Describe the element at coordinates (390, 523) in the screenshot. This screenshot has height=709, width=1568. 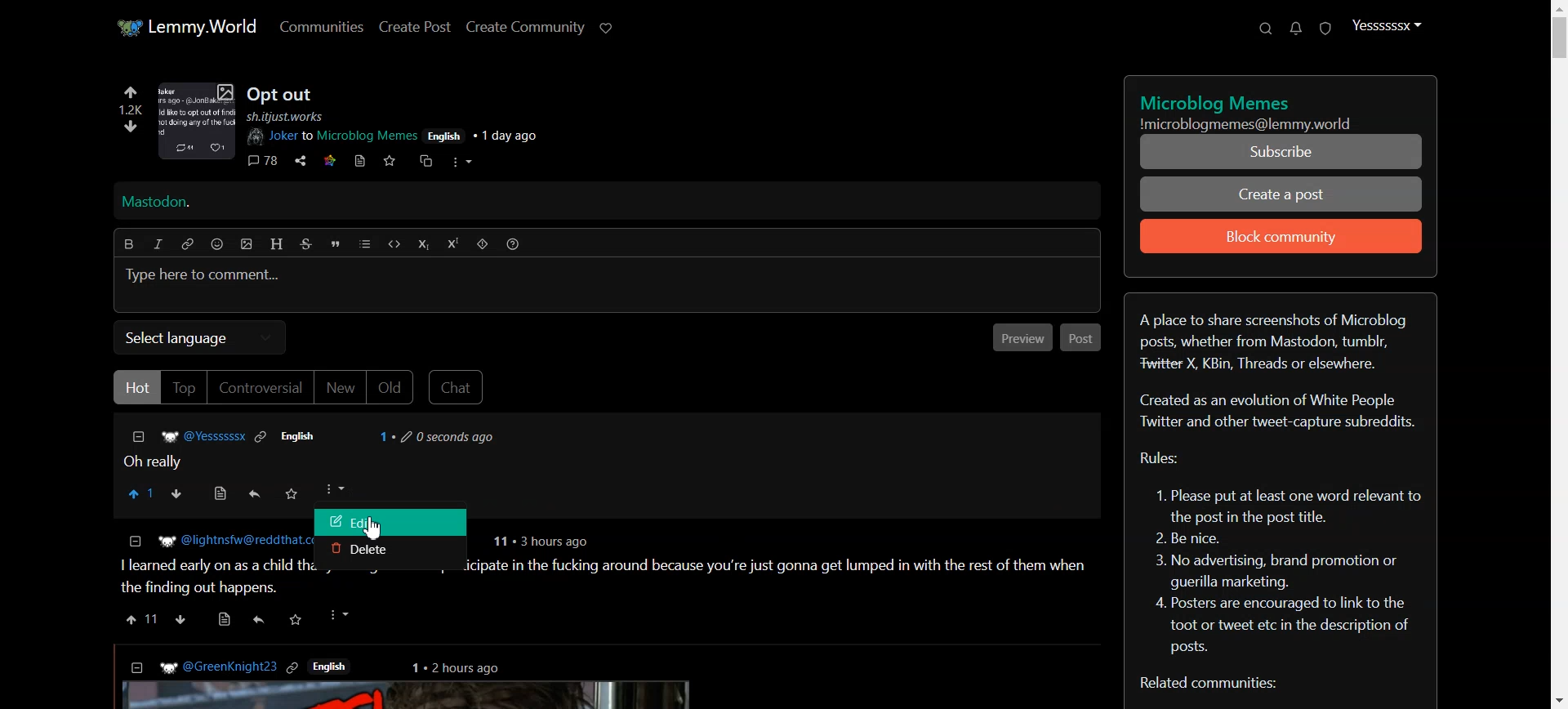
I see `Edit` at that location.